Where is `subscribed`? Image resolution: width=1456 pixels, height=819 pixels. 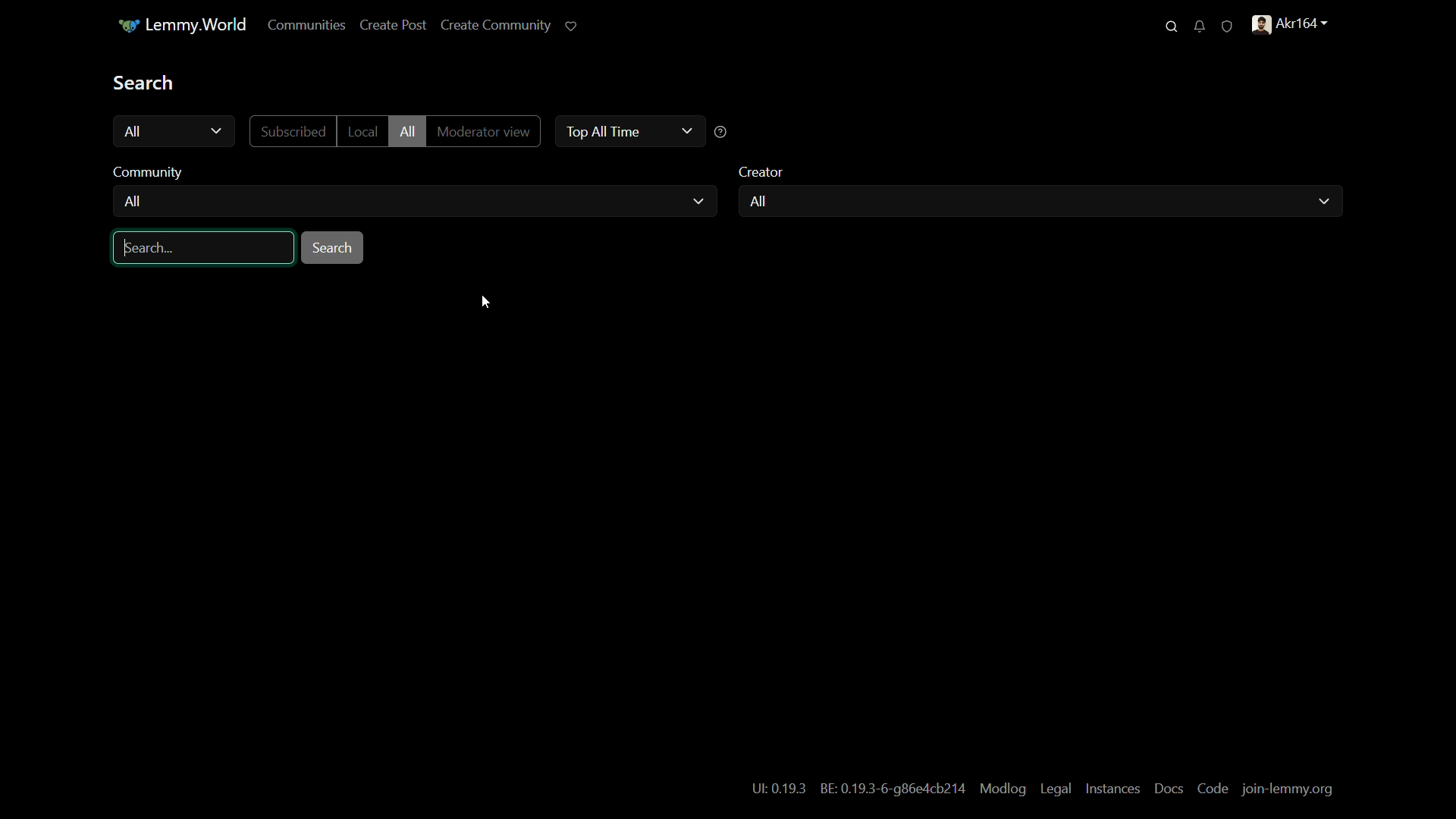 subscribed is located at coordinates (293, 132).